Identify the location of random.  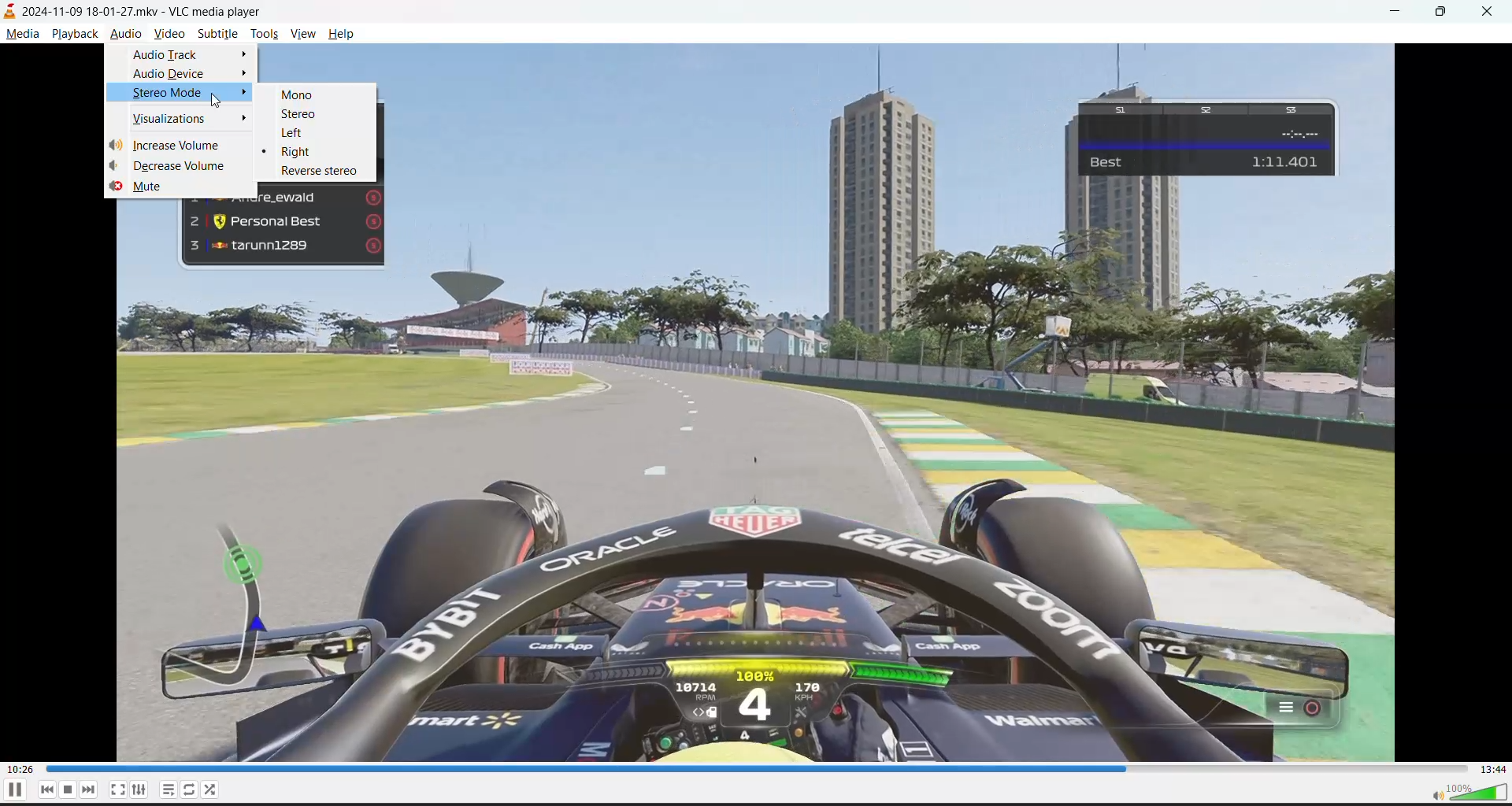
(213, 791).